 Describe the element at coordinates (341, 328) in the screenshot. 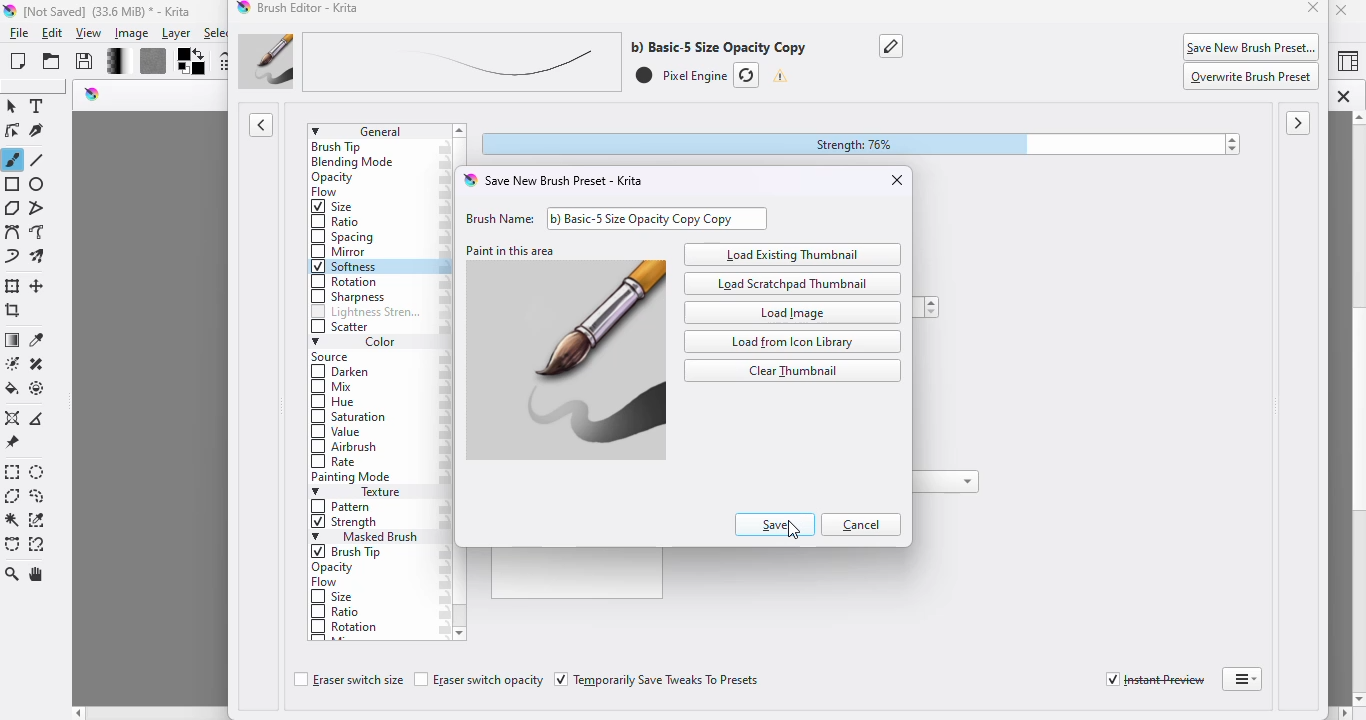

I see `scatter` at that location.